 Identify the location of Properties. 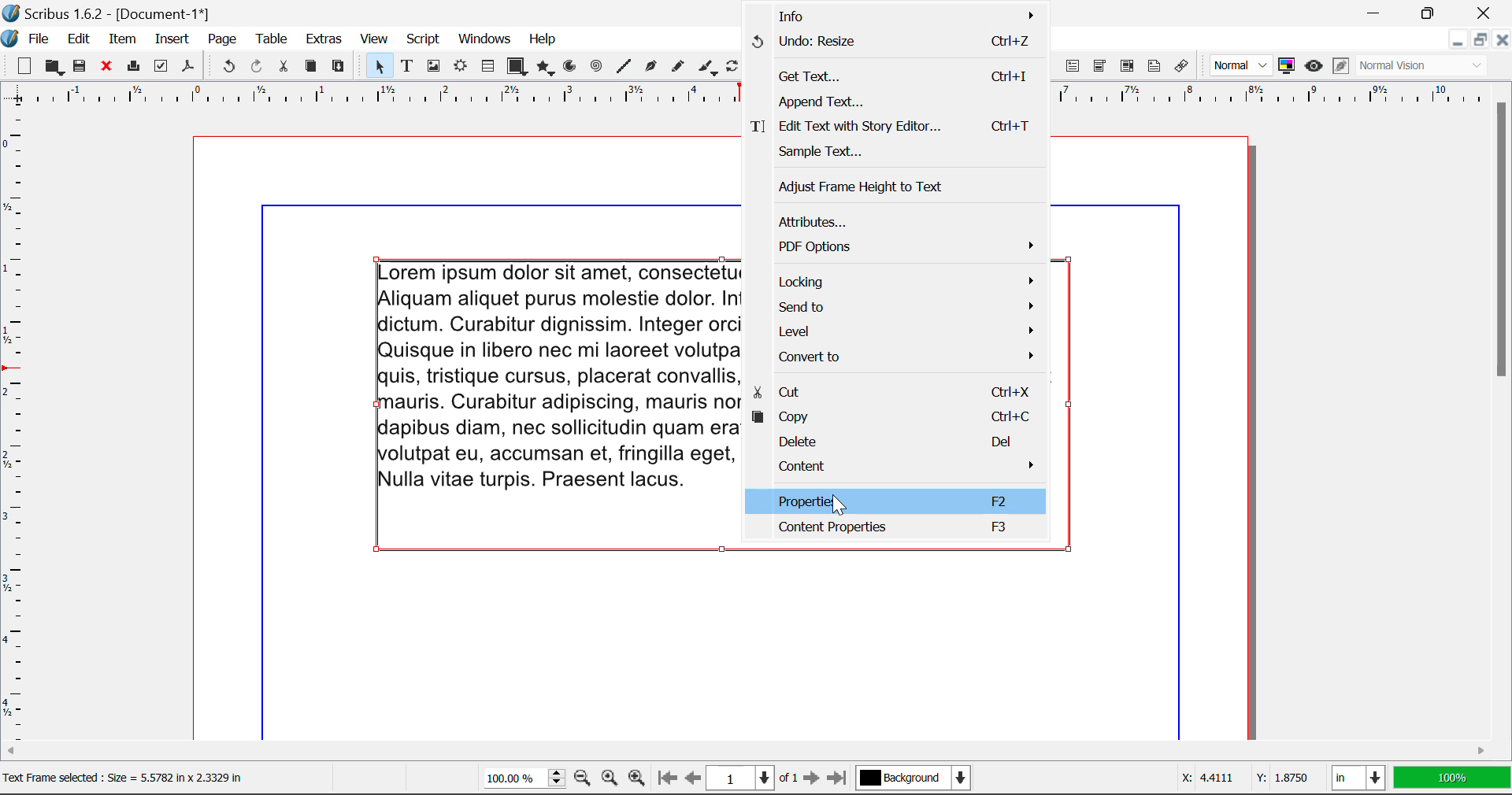
(895, 498).